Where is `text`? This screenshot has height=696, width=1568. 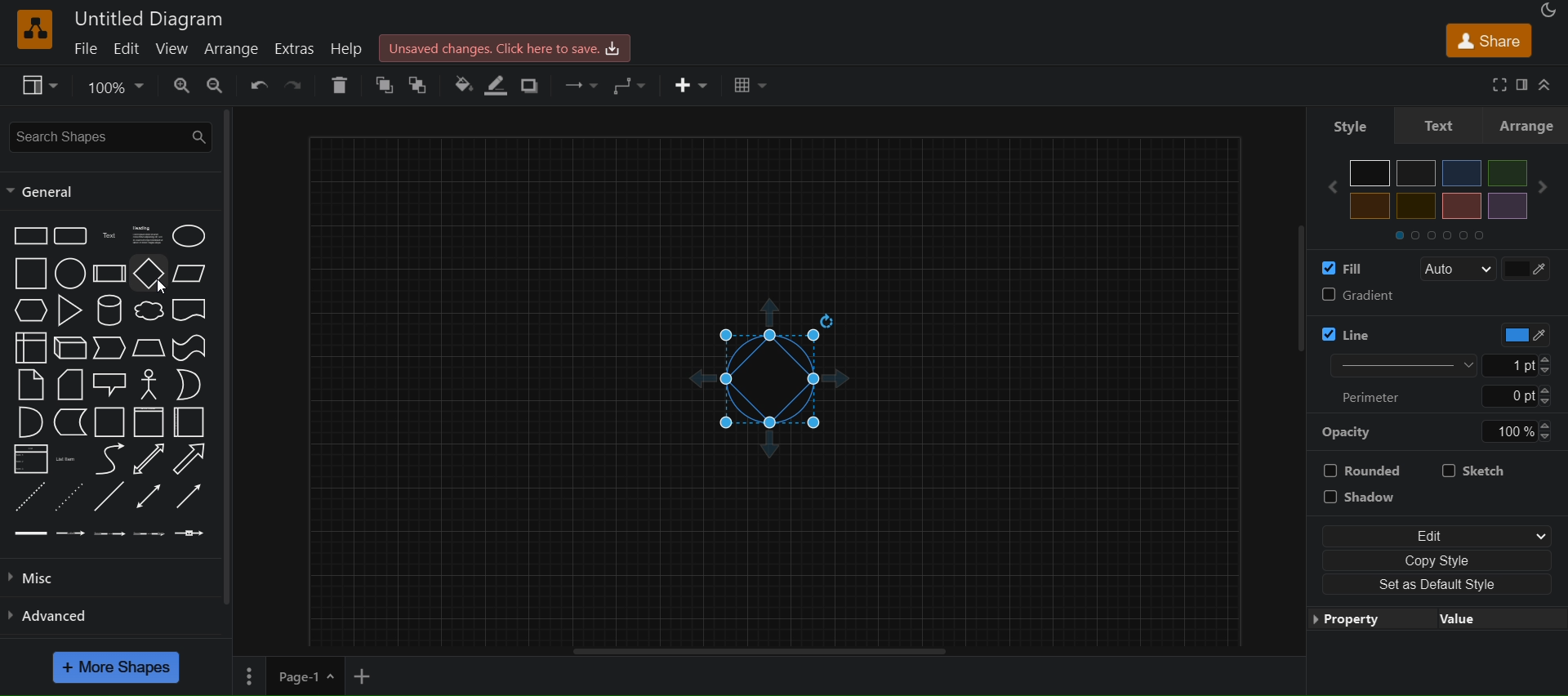
text is located at coordinates (1441, 124).